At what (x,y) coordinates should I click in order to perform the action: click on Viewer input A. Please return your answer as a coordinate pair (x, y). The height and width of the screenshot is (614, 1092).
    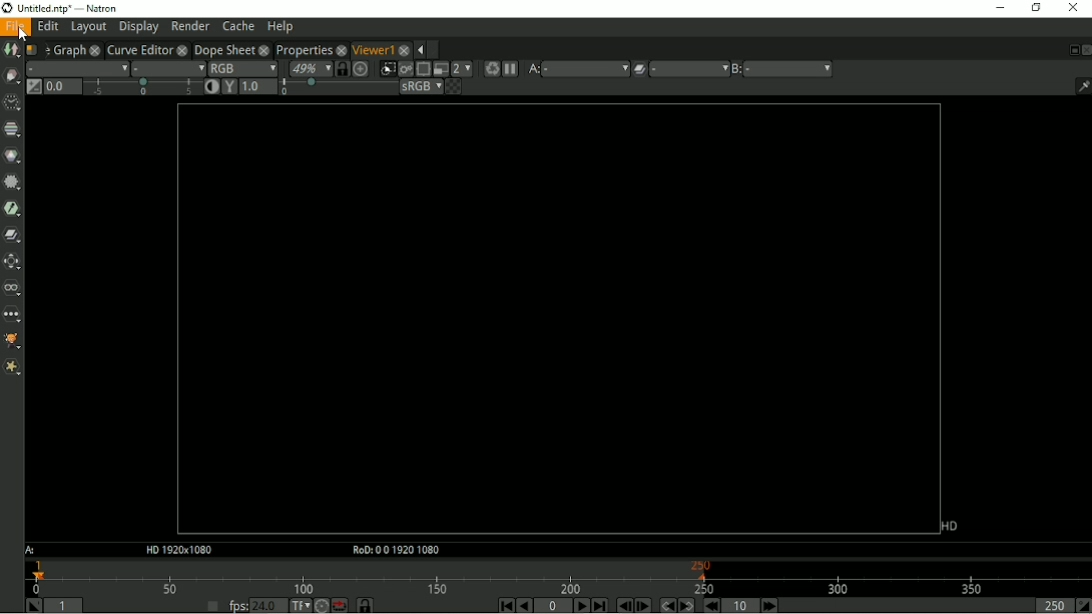
    Looking at the image, I should click on (532, 69).